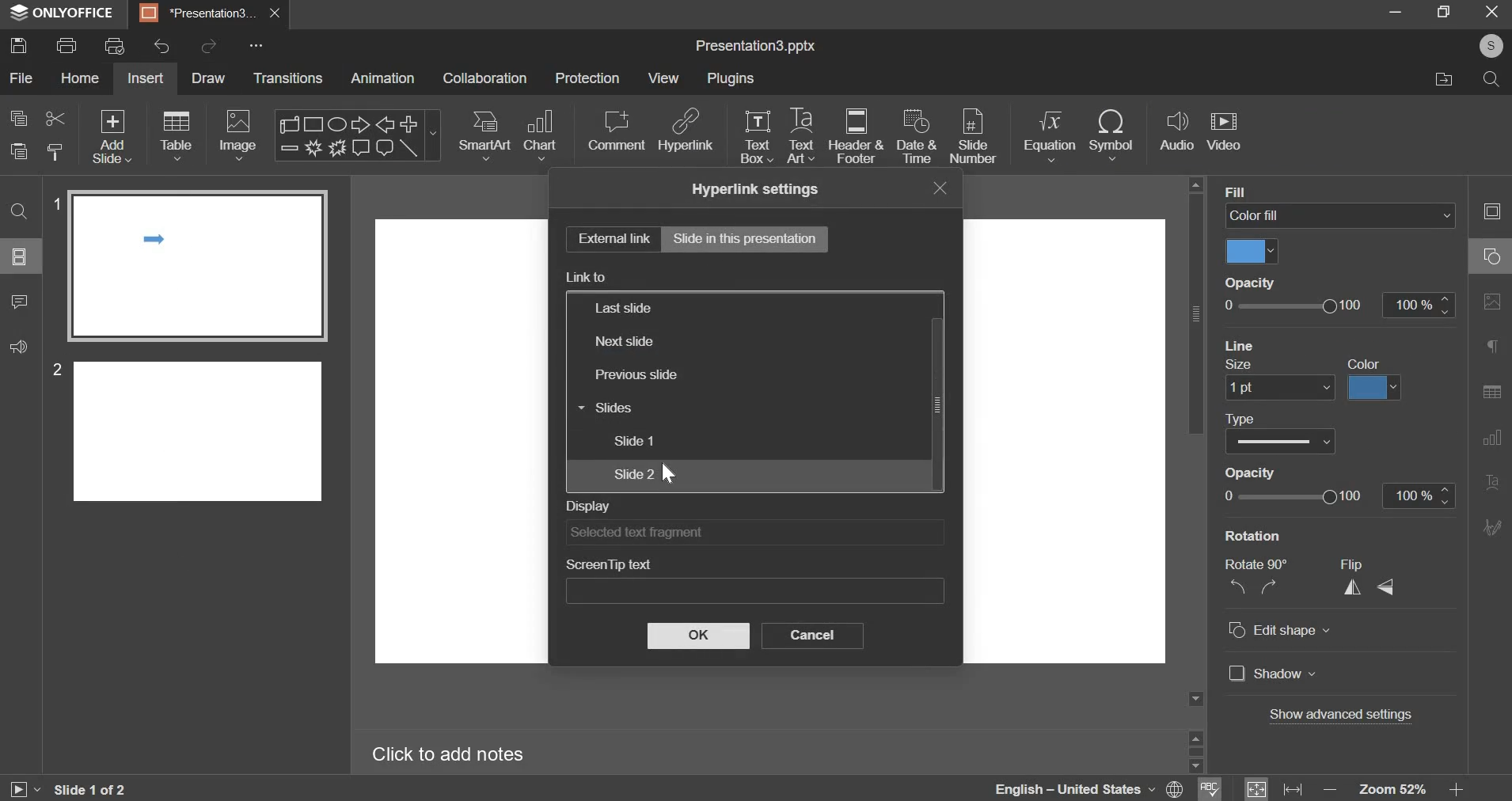 This screenshot has height=801, width=1512. Describe the element at coordinates (1392, 789) in the screenshot. I see `zoom 52%` at that location.